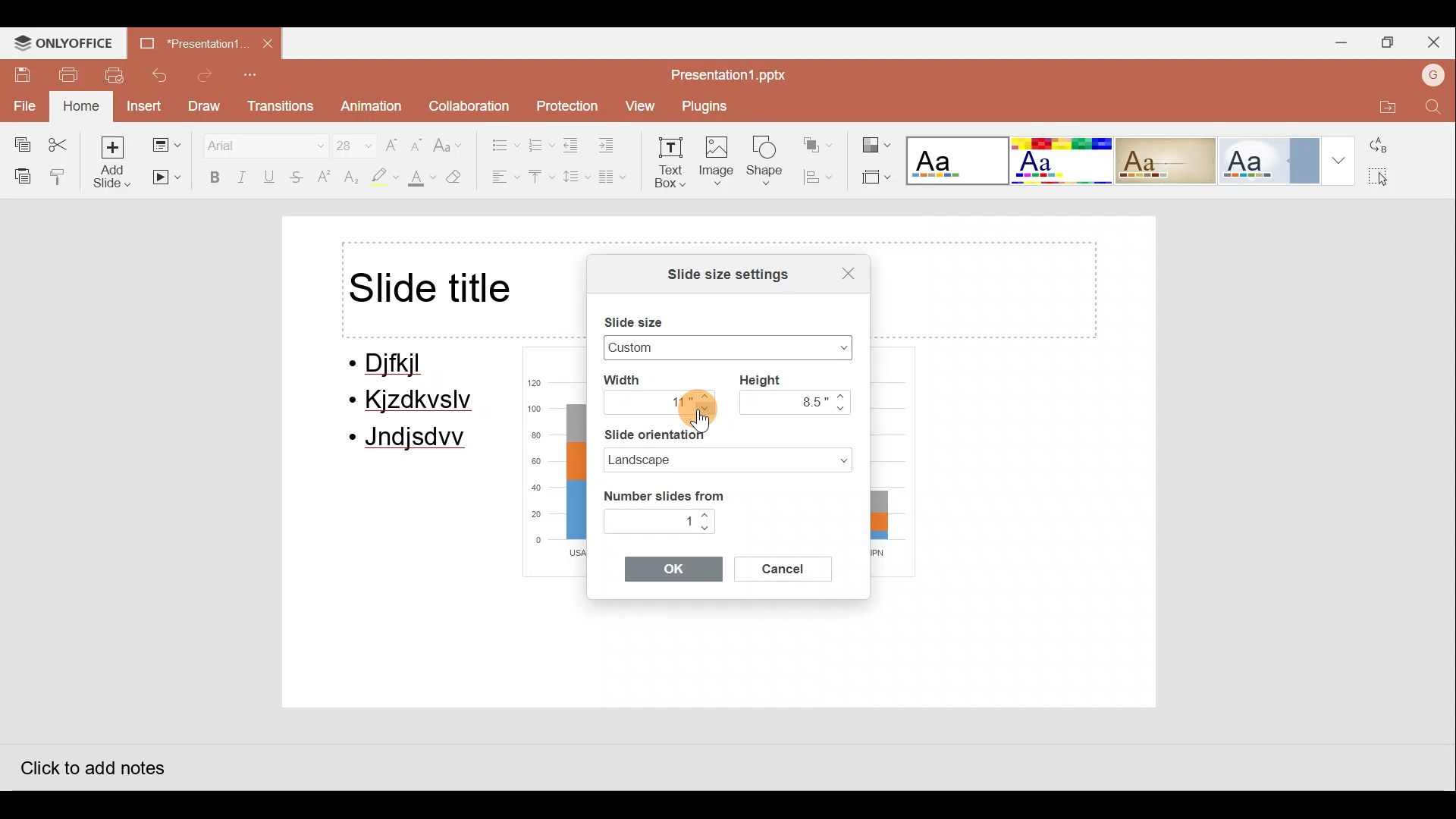 The height and width of the screenshot is (819, 1456). I want to click on Numbering, so click(541, 143).